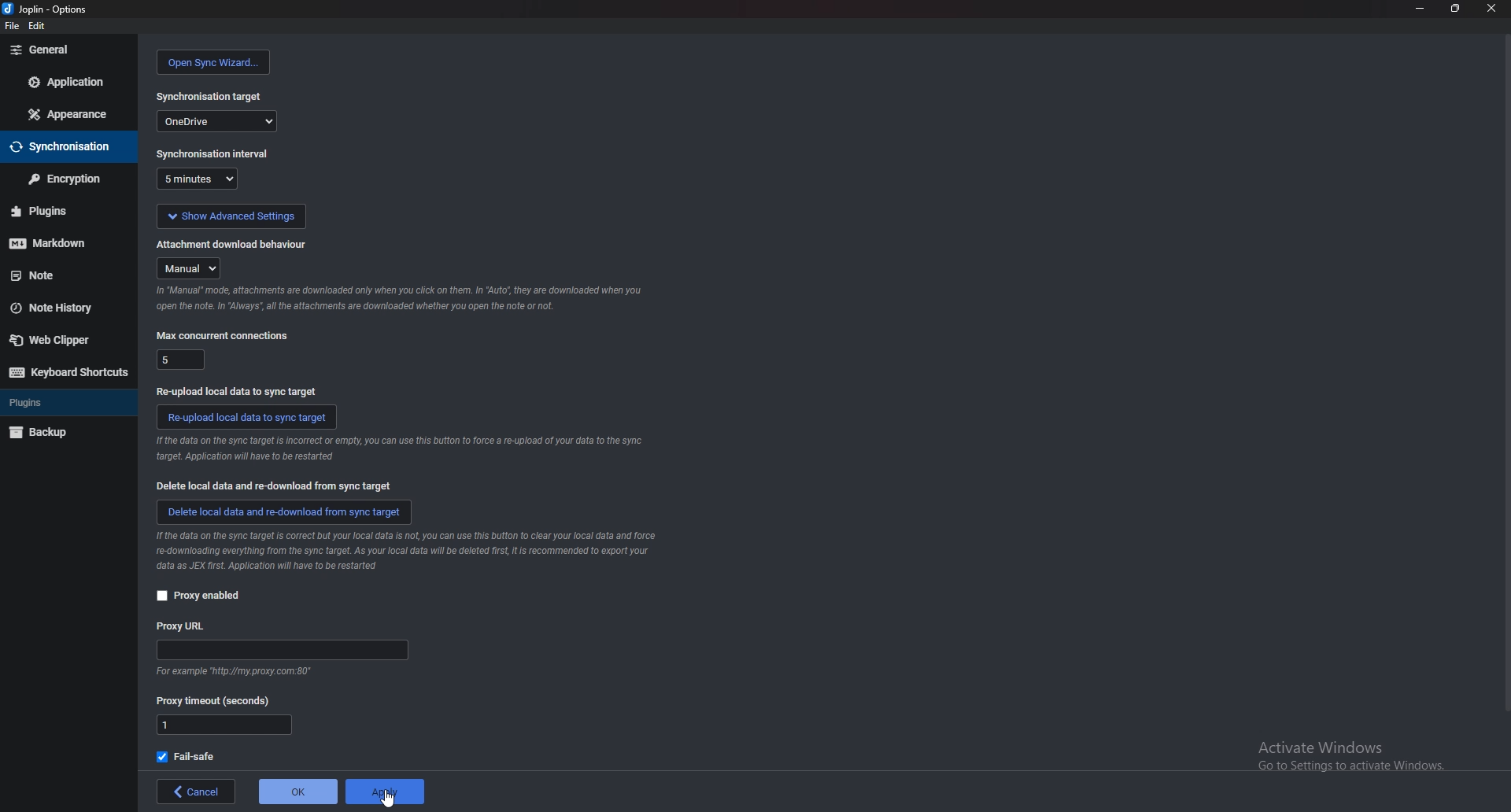  What do you see at coordinates (61, 274) in the screenshot?
I see `note` at bounding box center [61, 274].